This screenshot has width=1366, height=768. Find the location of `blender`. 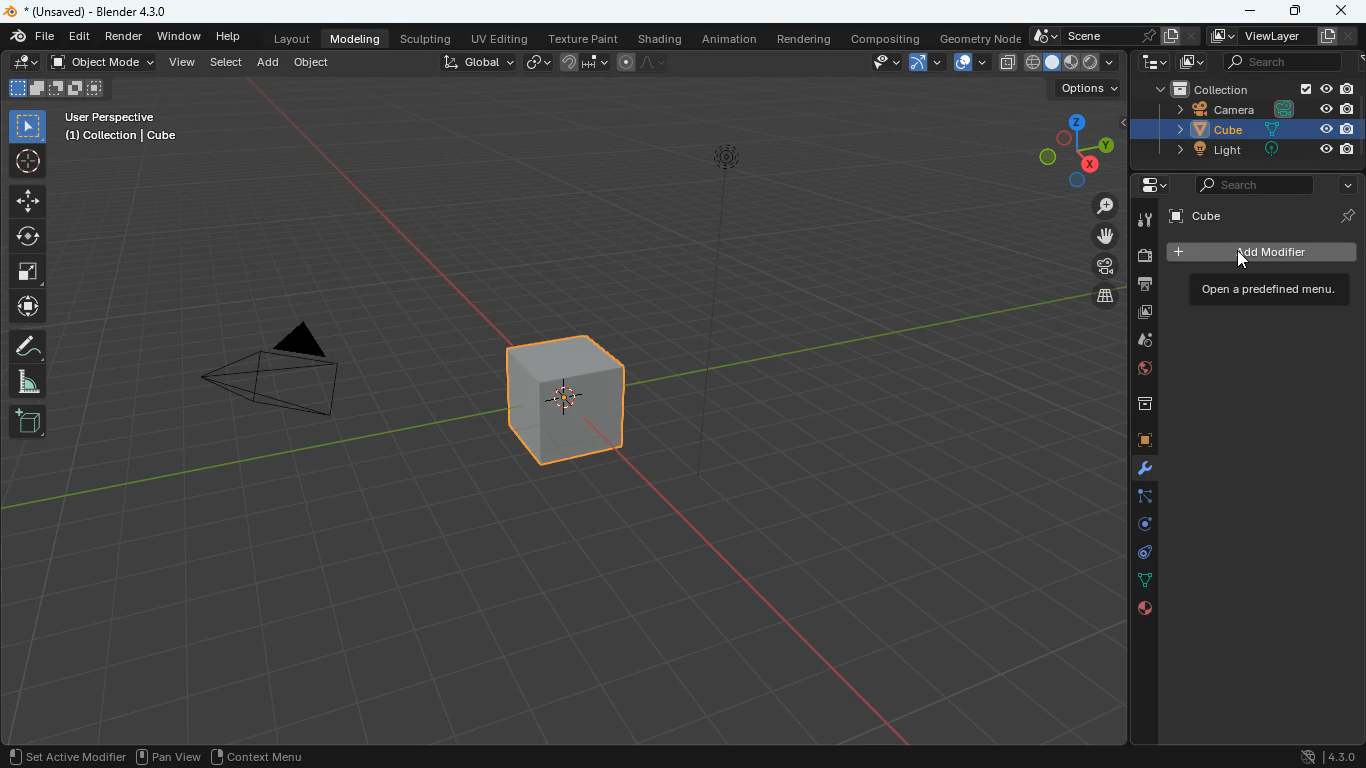

blender is located at coordinates (90, 12).